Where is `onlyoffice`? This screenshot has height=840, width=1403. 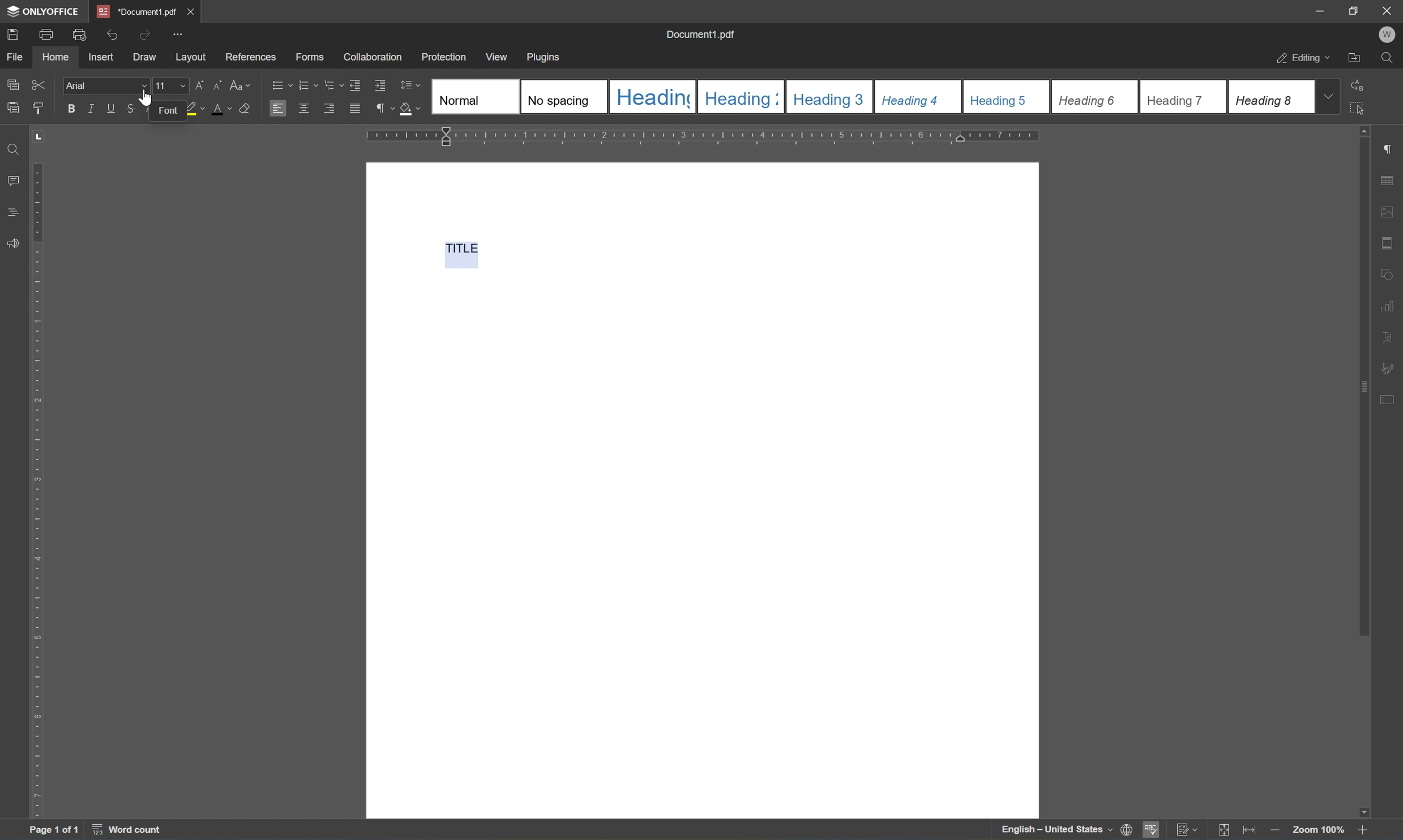
onlyoffice is located at coordinates (44, 12).